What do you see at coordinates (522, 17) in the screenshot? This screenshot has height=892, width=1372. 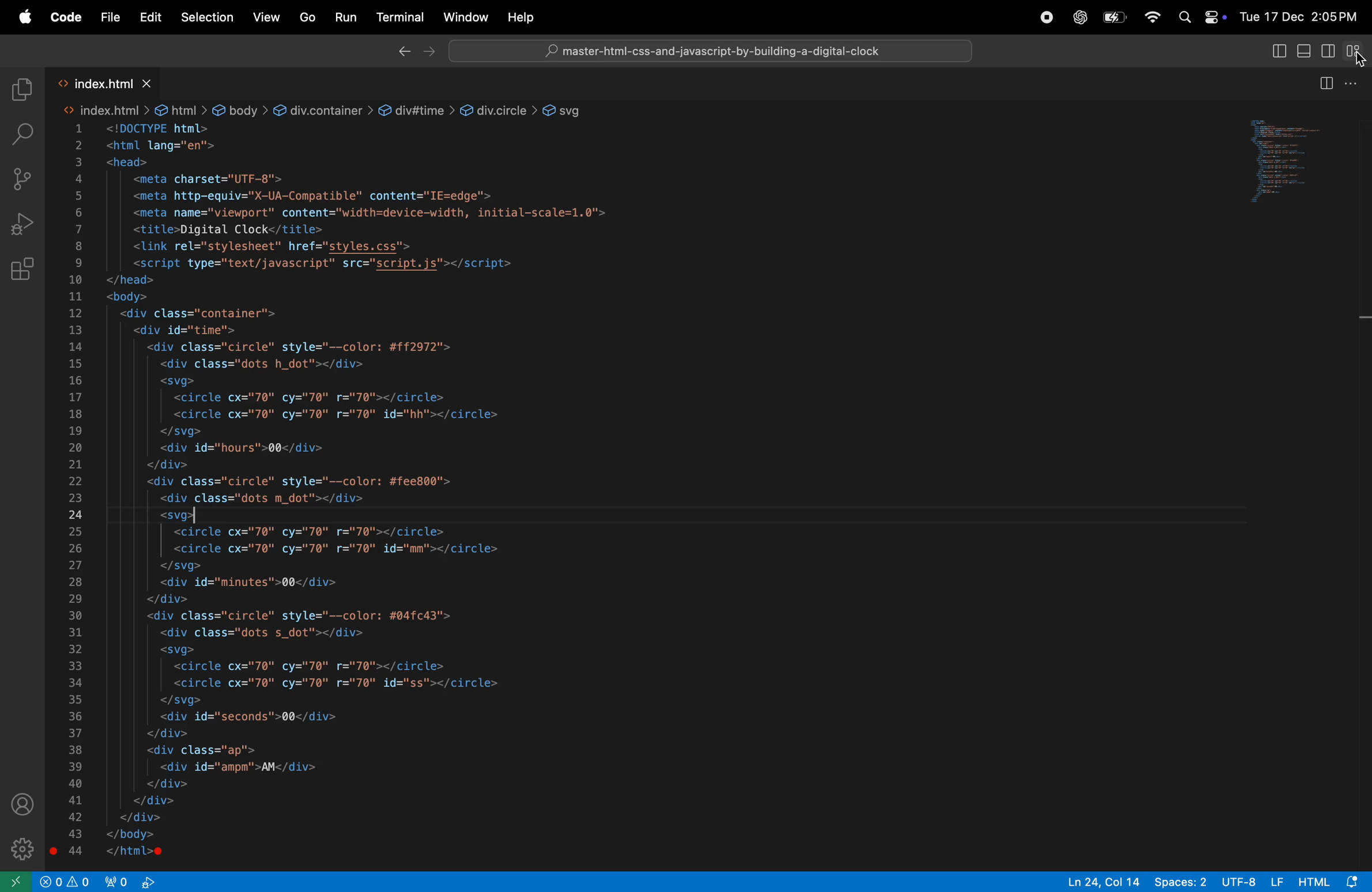 I see `help` at bounding box center [522, 17].